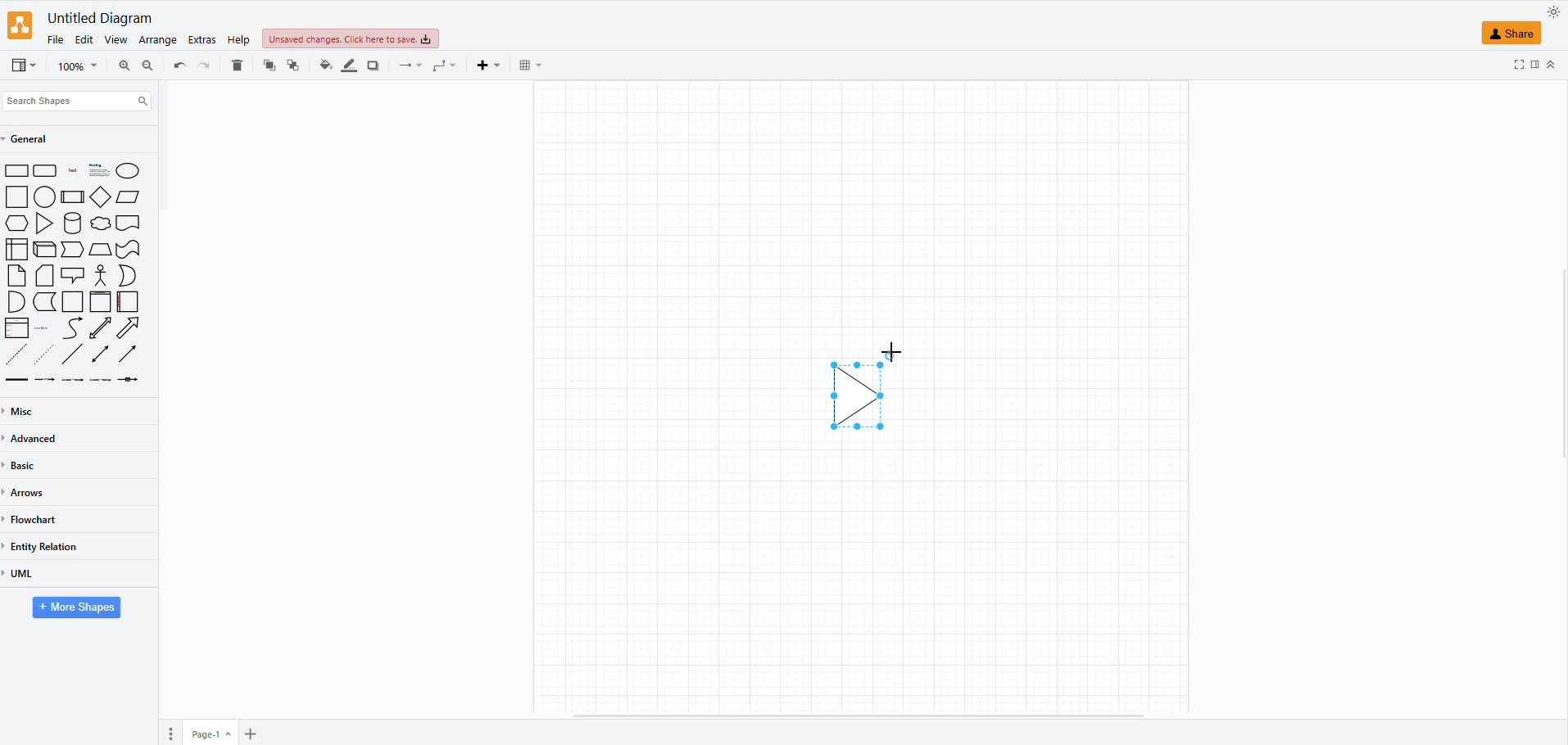  Describe the element at coordinates (45, 381) in the screenshot. I see `Labelled Arrow` at that location.